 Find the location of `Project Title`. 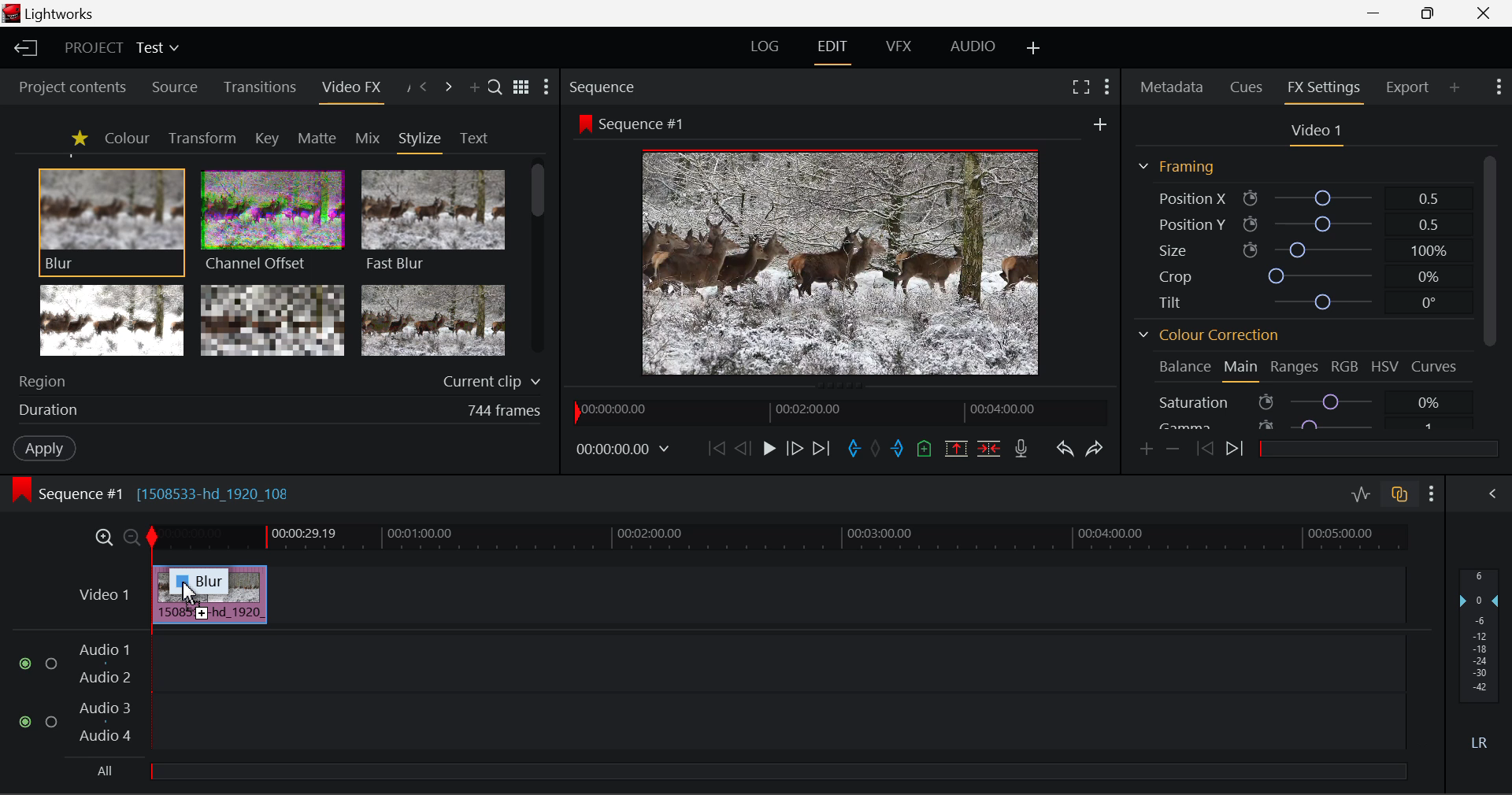

Project Title is located at coordinates (120, 50).